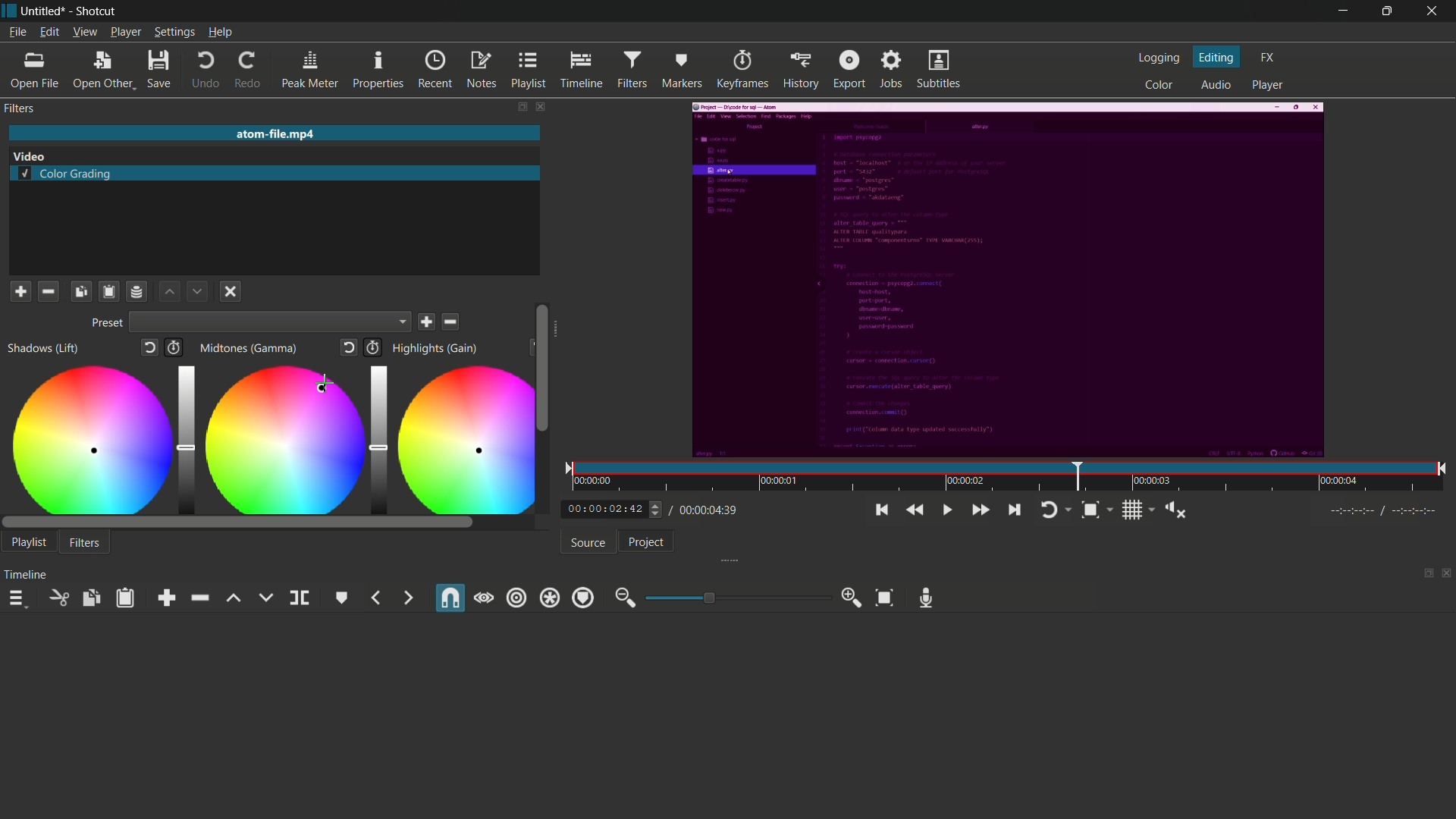  What do you see at coordinates (1213, 86) in the screenshot?
I see `audio` at bounding box center [1213, 86].